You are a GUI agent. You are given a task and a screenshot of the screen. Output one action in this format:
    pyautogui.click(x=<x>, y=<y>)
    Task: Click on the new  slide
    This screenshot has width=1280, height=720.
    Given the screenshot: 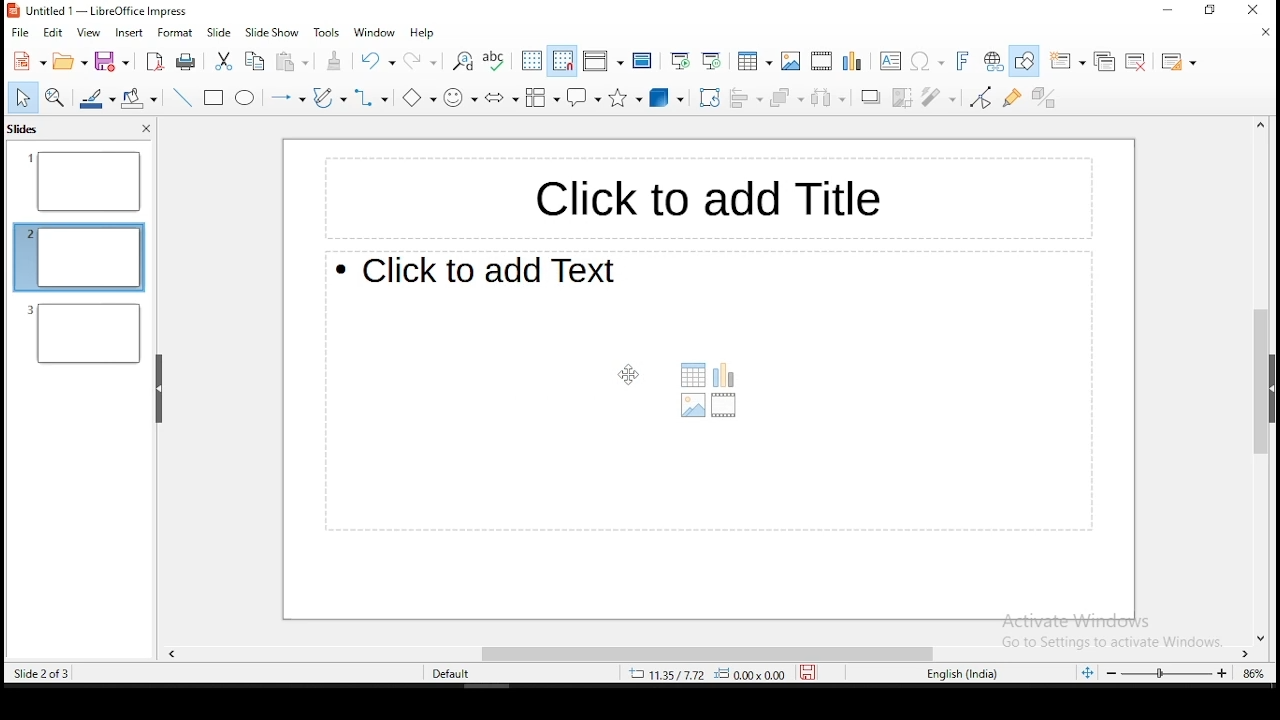 What is the action you would take?
    pyautogui.click(x=1065, y=62)
    